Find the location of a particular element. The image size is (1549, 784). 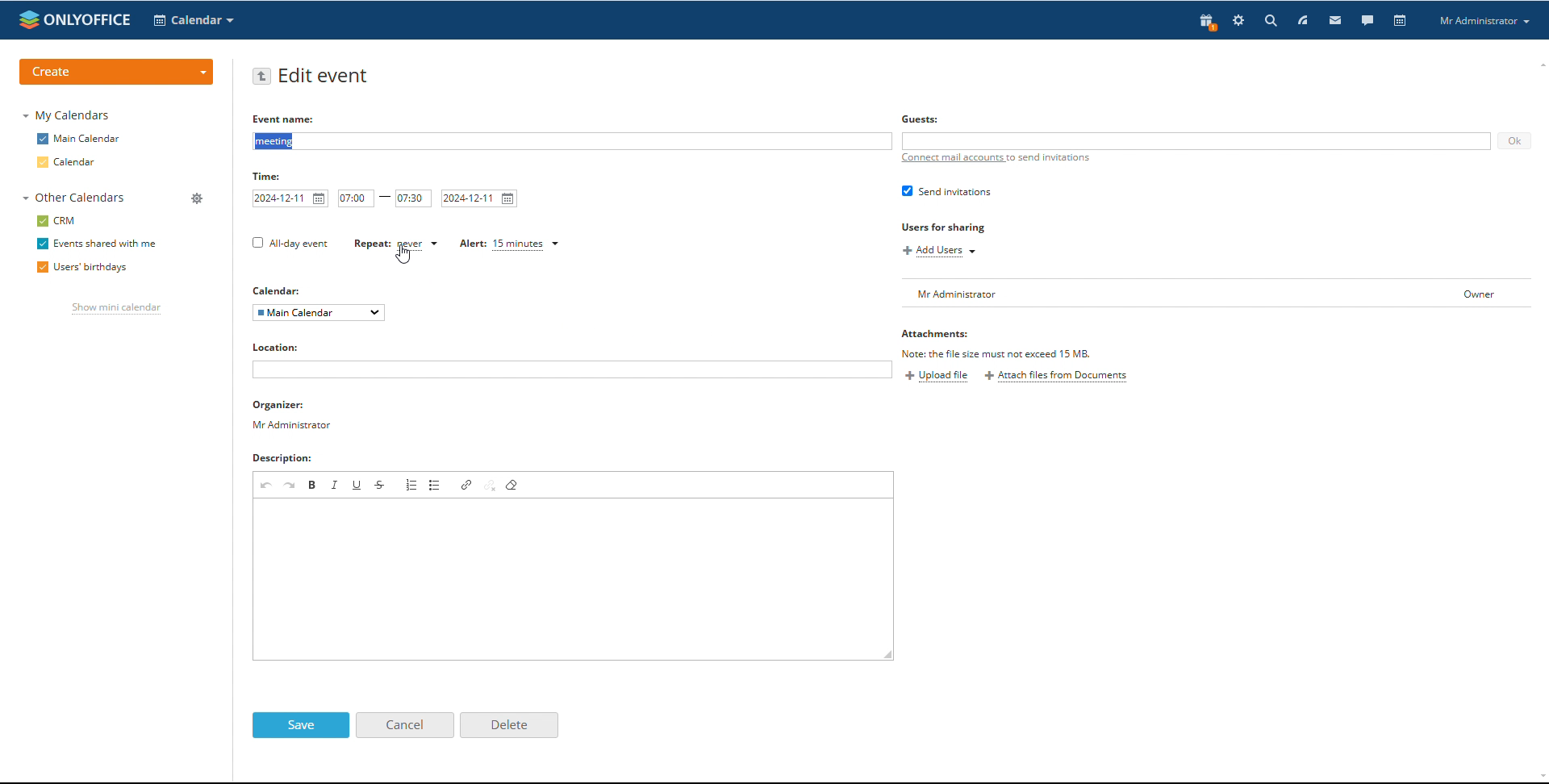

unlink is located at coordinates (491, 485).